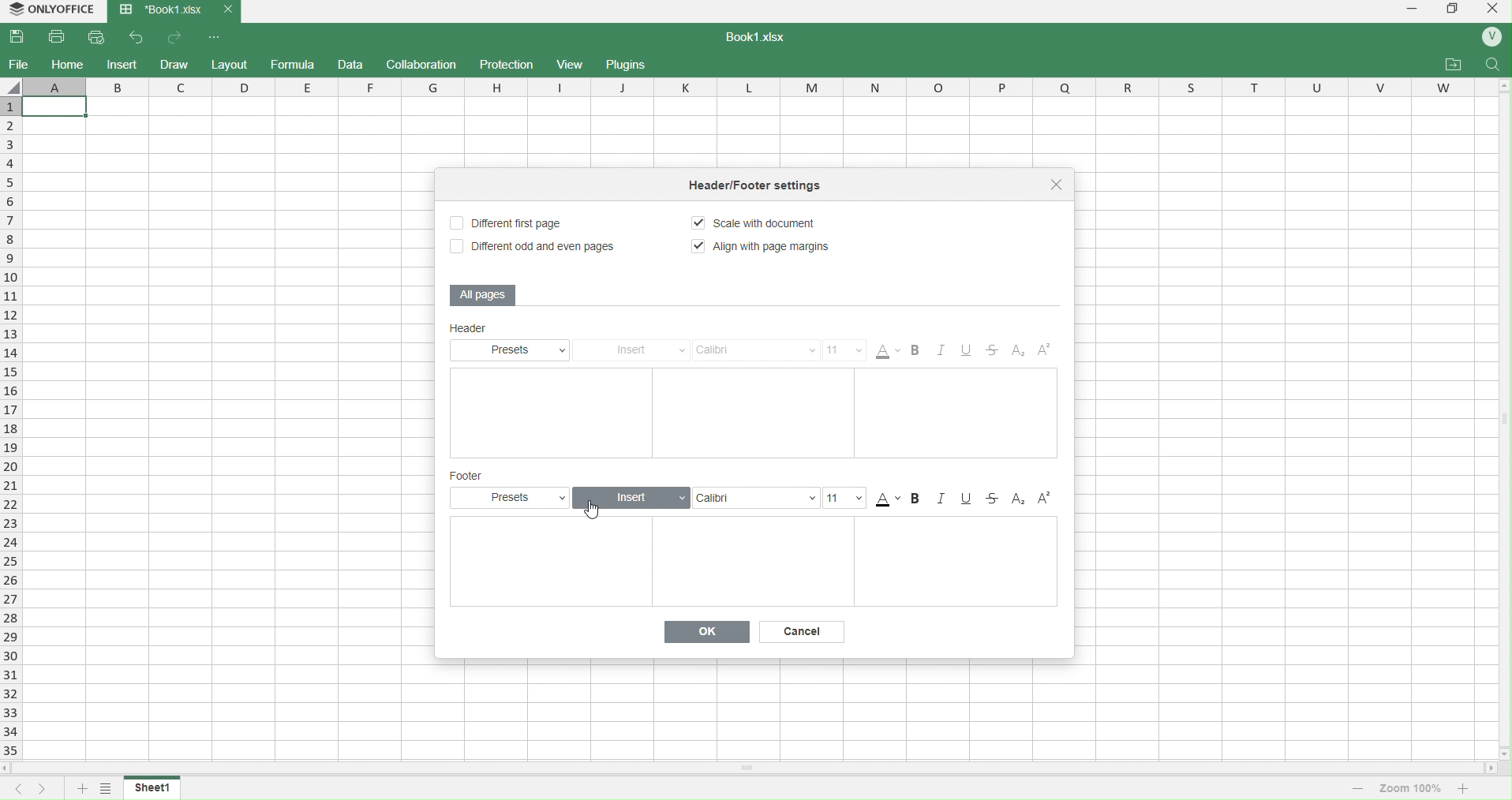 Image resolution: width=1512 pixels, height=800 pixels. What do you see at coordinates (1451, 11) in the screenshot?
I see `windows` at bounding box center [1451, 11].